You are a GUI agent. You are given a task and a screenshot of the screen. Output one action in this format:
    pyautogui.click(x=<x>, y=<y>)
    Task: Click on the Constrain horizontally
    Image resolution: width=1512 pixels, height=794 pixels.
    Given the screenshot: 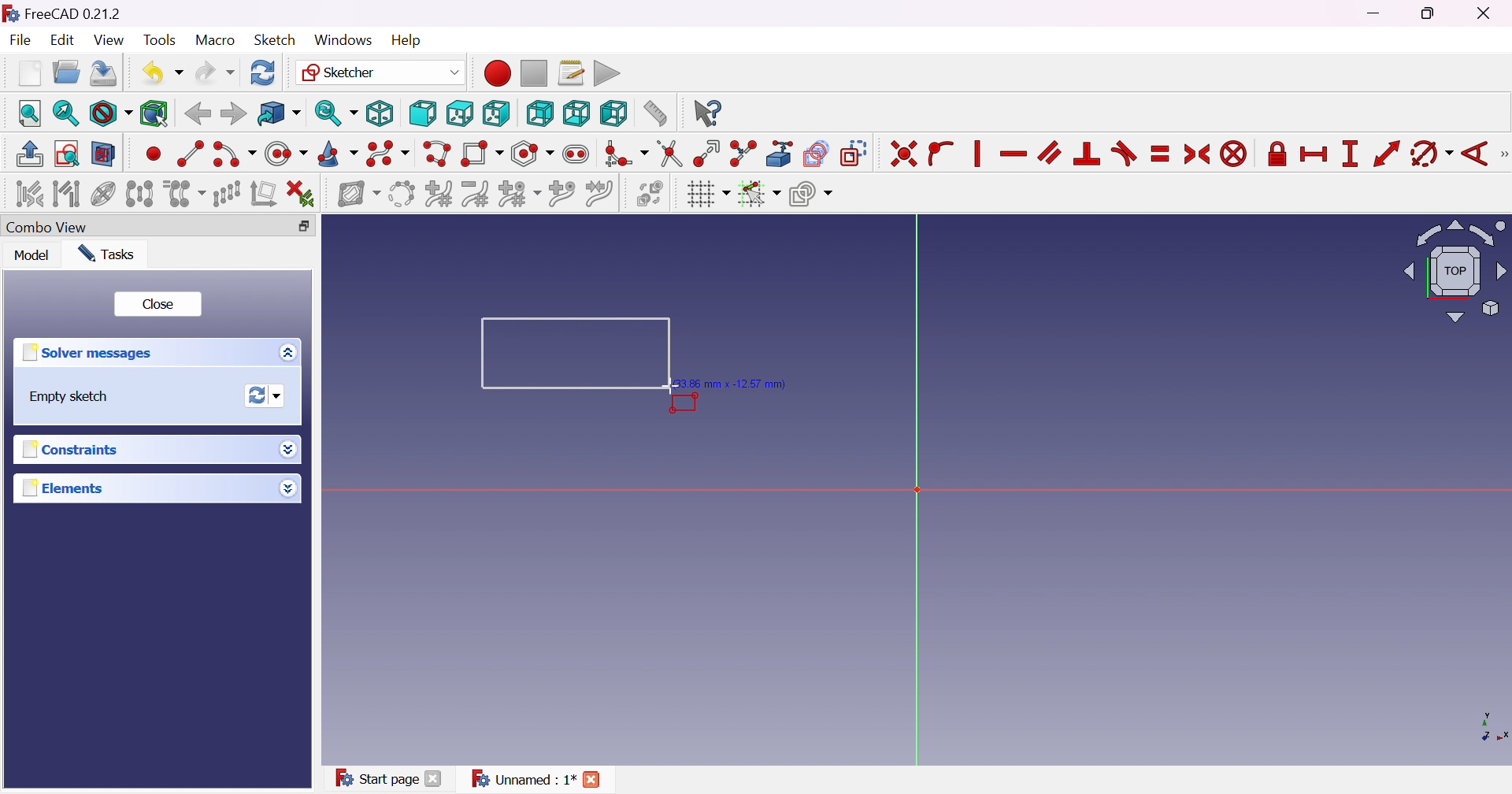 What is the action you would take?
    pyautogui.click(x=1014, y=154)
    